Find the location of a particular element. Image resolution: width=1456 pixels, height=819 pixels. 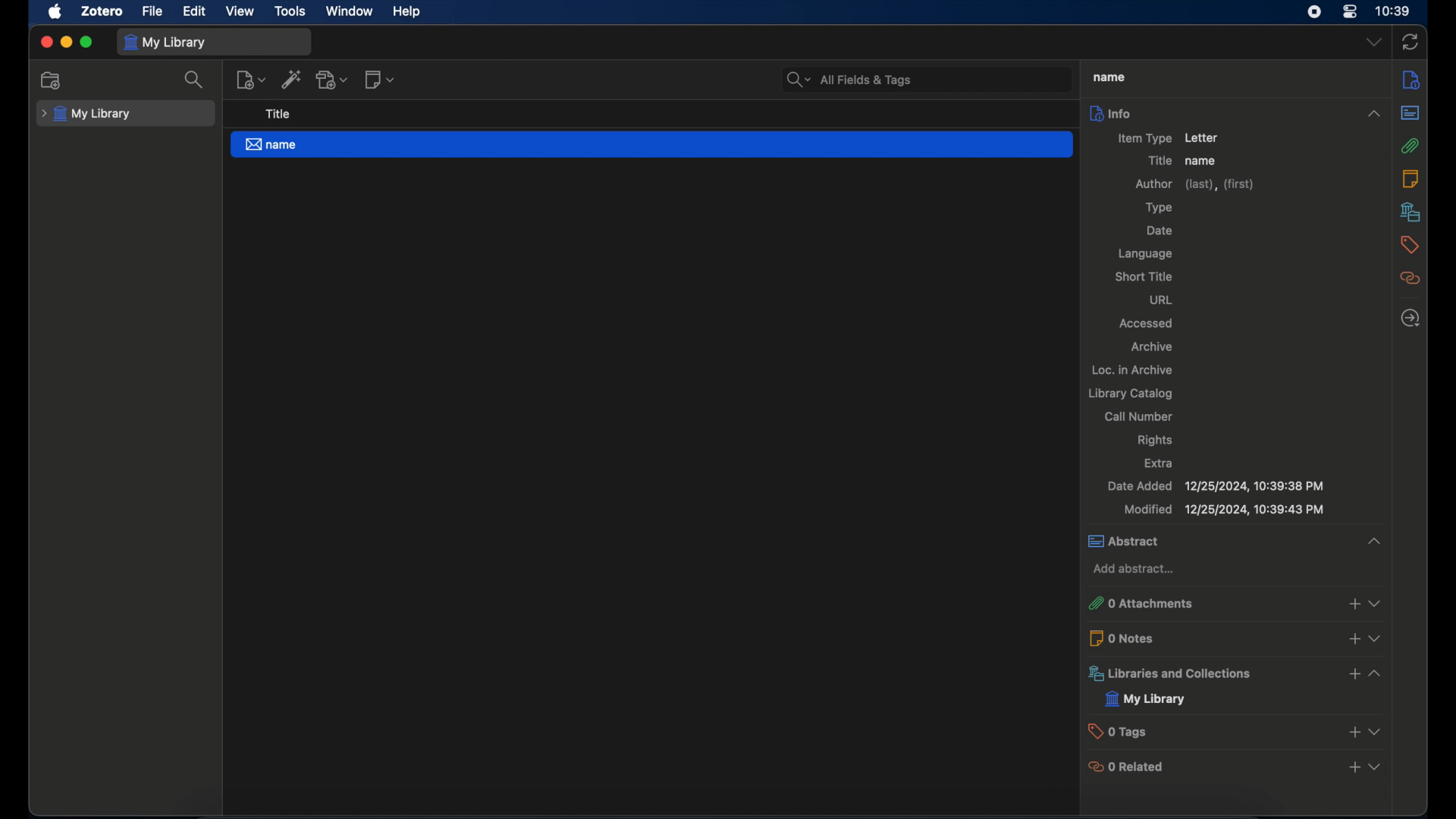

o attachments is located at coordinates (1146, 604).